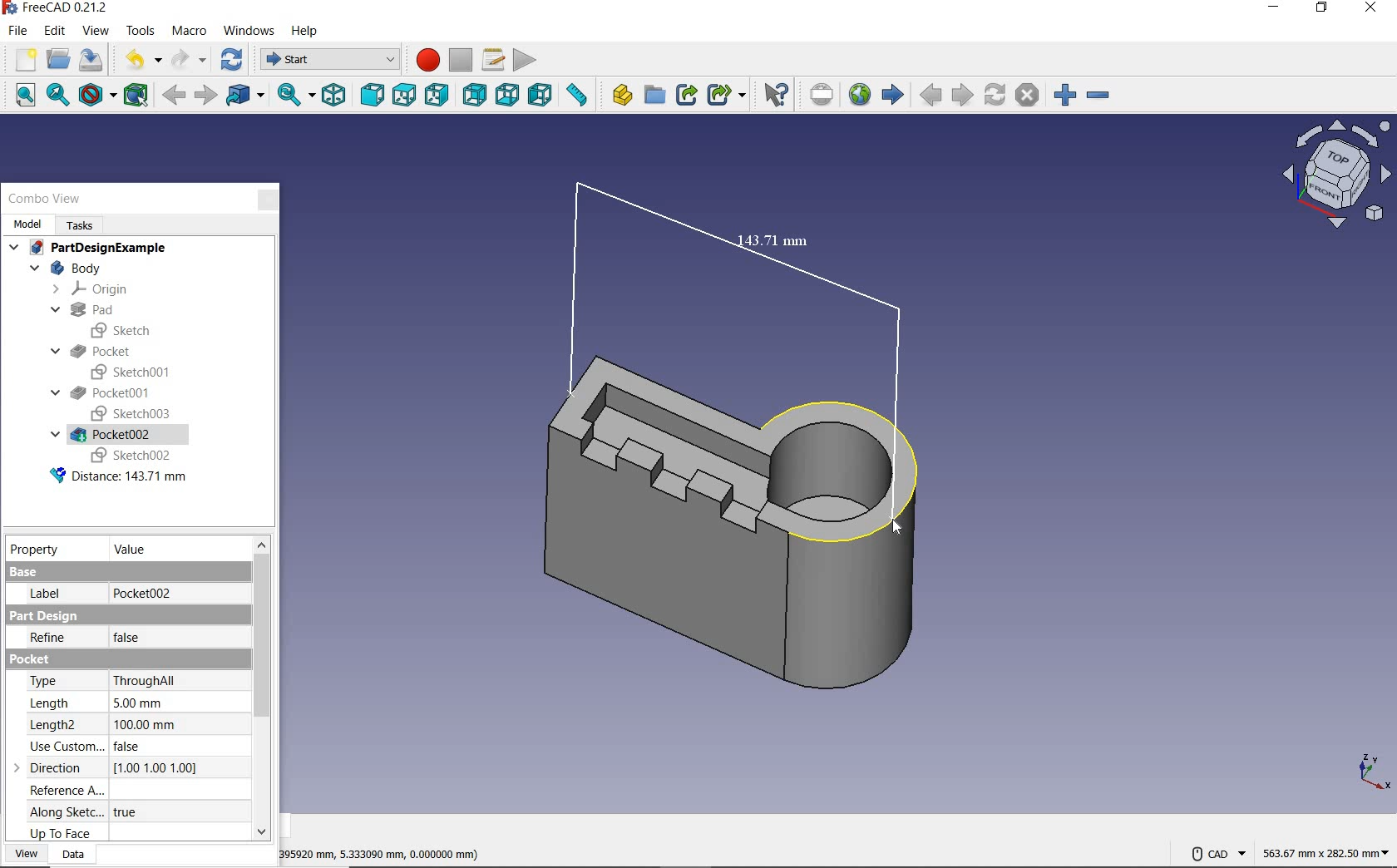 Image resolution: width=1397 pixels, height=868 pixels. What do you see at coordinates (654, 96) in the screenshot?
I see `create group` at bounding box center [654, 96].